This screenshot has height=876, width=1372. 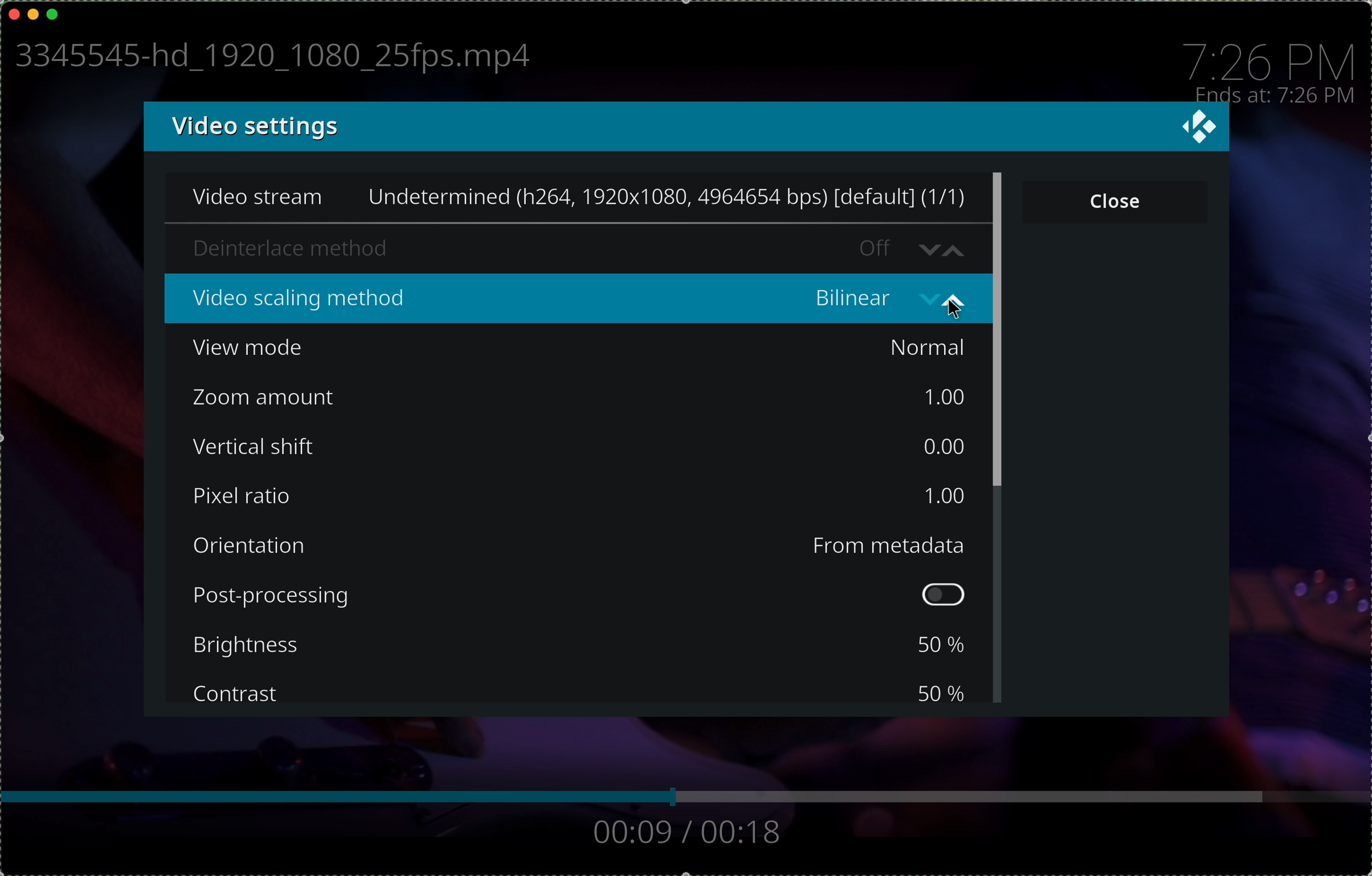 I want to click on bar, so click(x=684, y=796).